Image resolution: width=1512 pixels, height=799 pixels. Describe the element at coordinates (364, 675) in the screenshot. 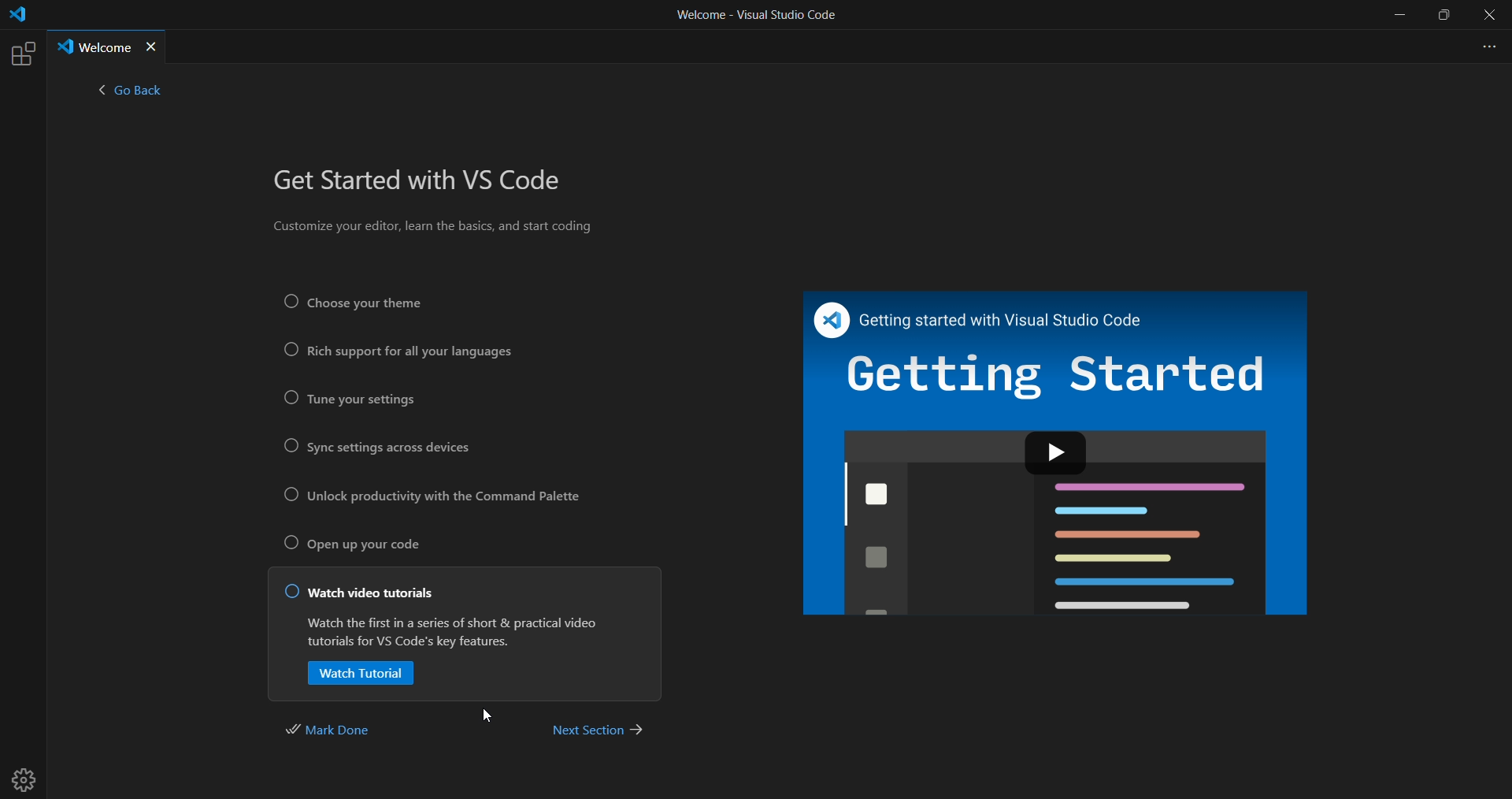

I see `watch tutorial` at that location.